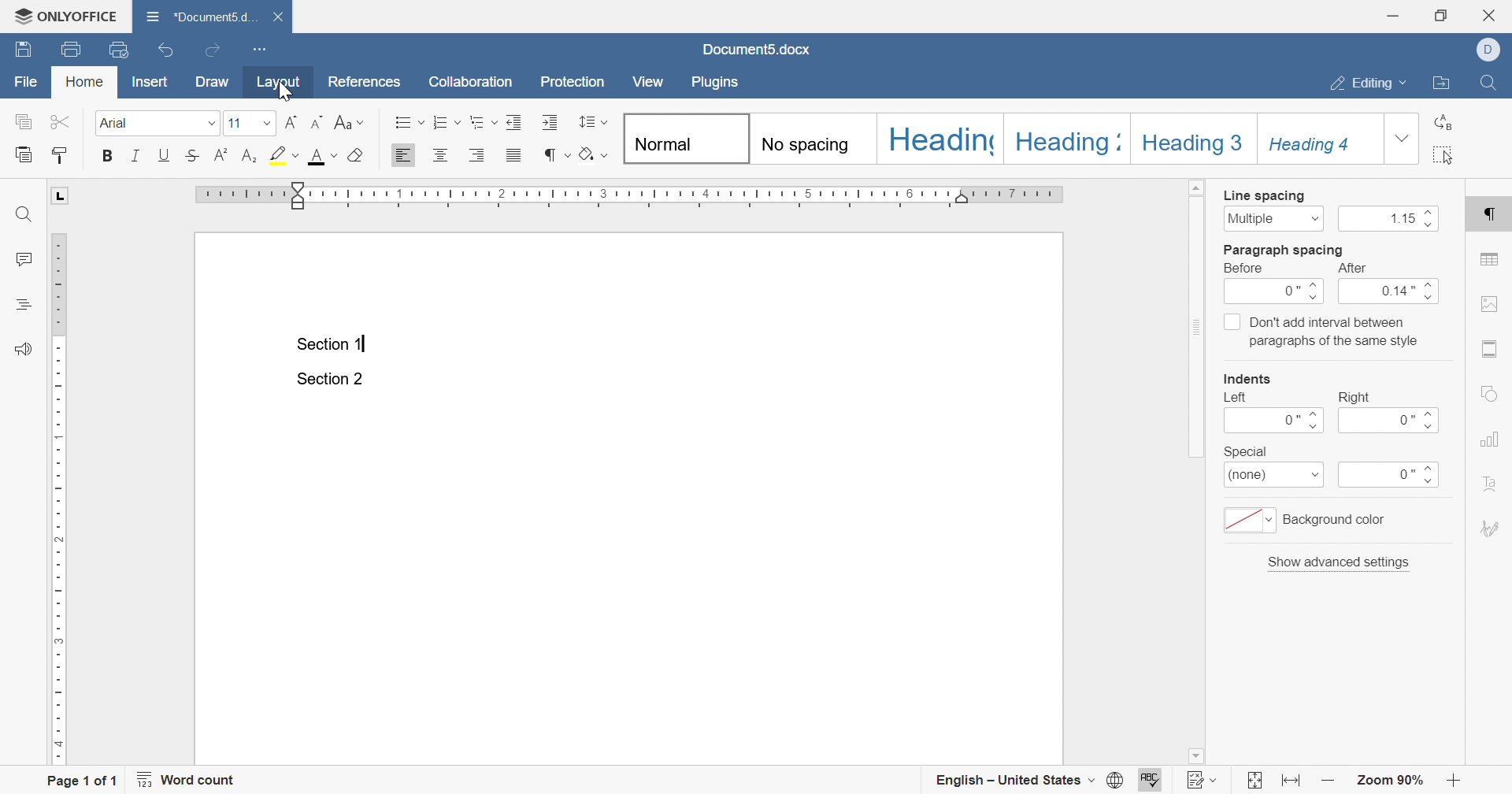 This screenshot has height=794, width=1512. What do you see at coordinates (440, 154) in the screenshot?
I see `Align center` at bounding box center [440, 154].